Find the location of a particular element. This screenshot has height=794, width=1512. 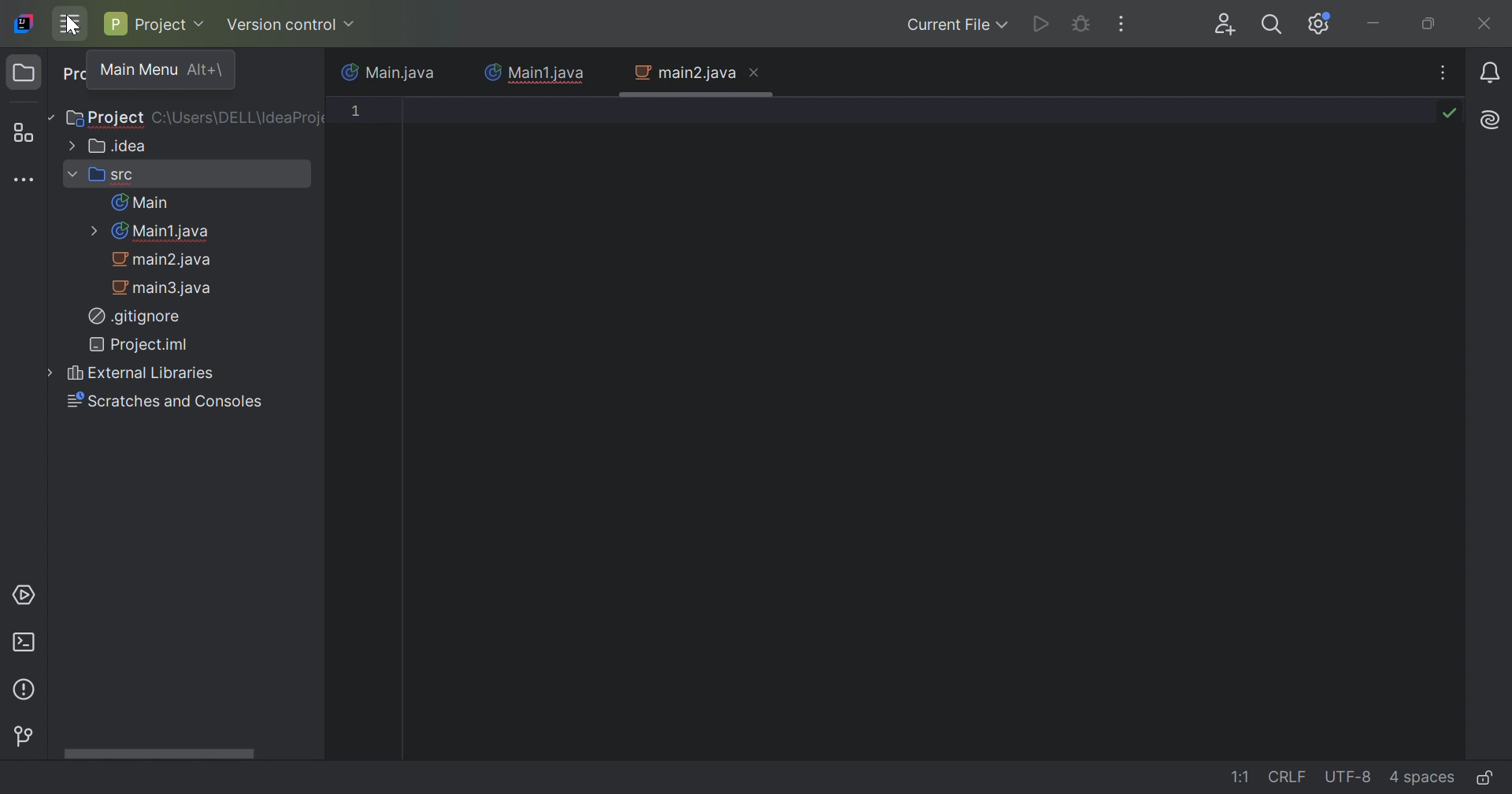

Restore down is located at coordinates (1429, 24).